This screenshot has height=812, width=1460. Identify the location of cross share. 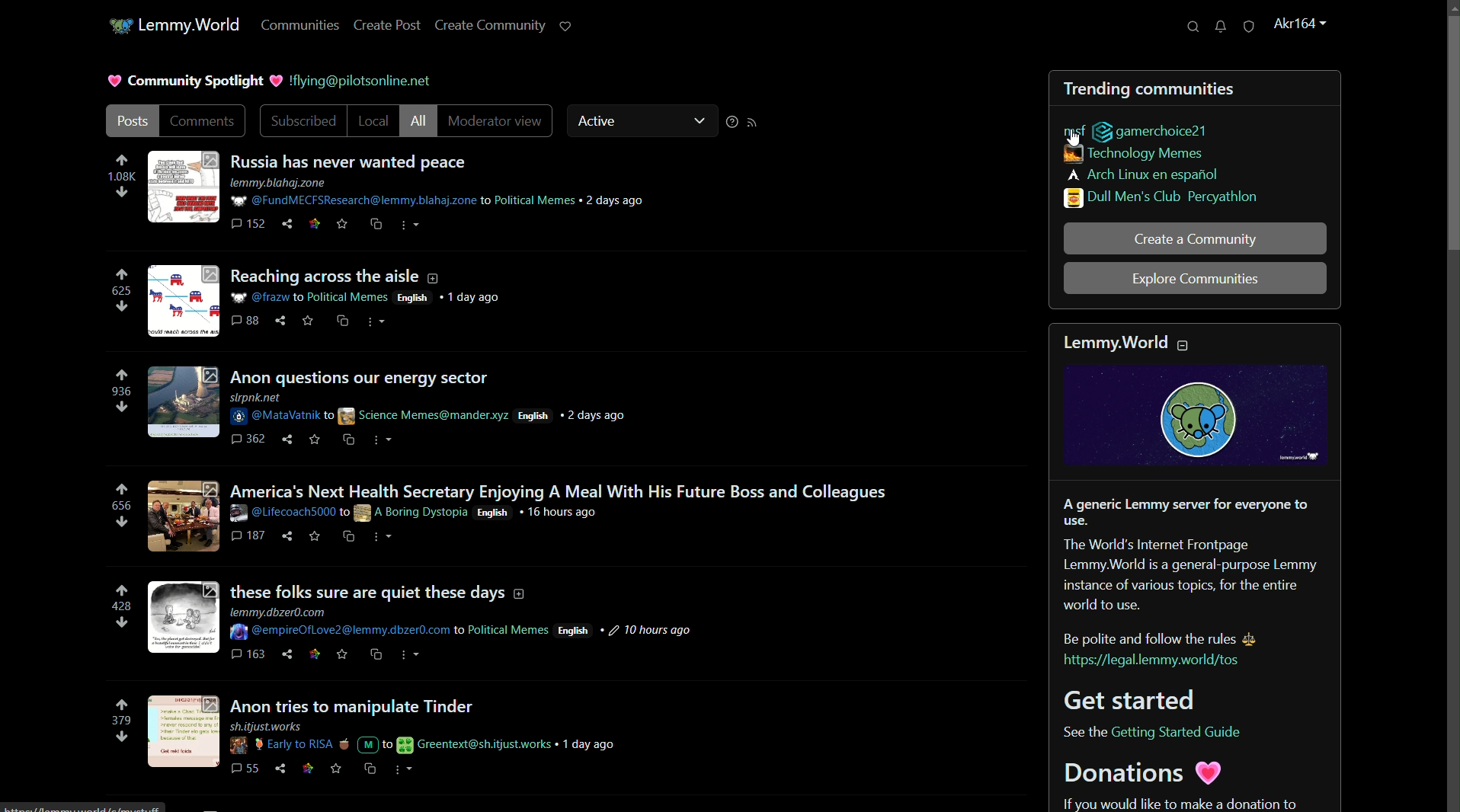
(371, 224).